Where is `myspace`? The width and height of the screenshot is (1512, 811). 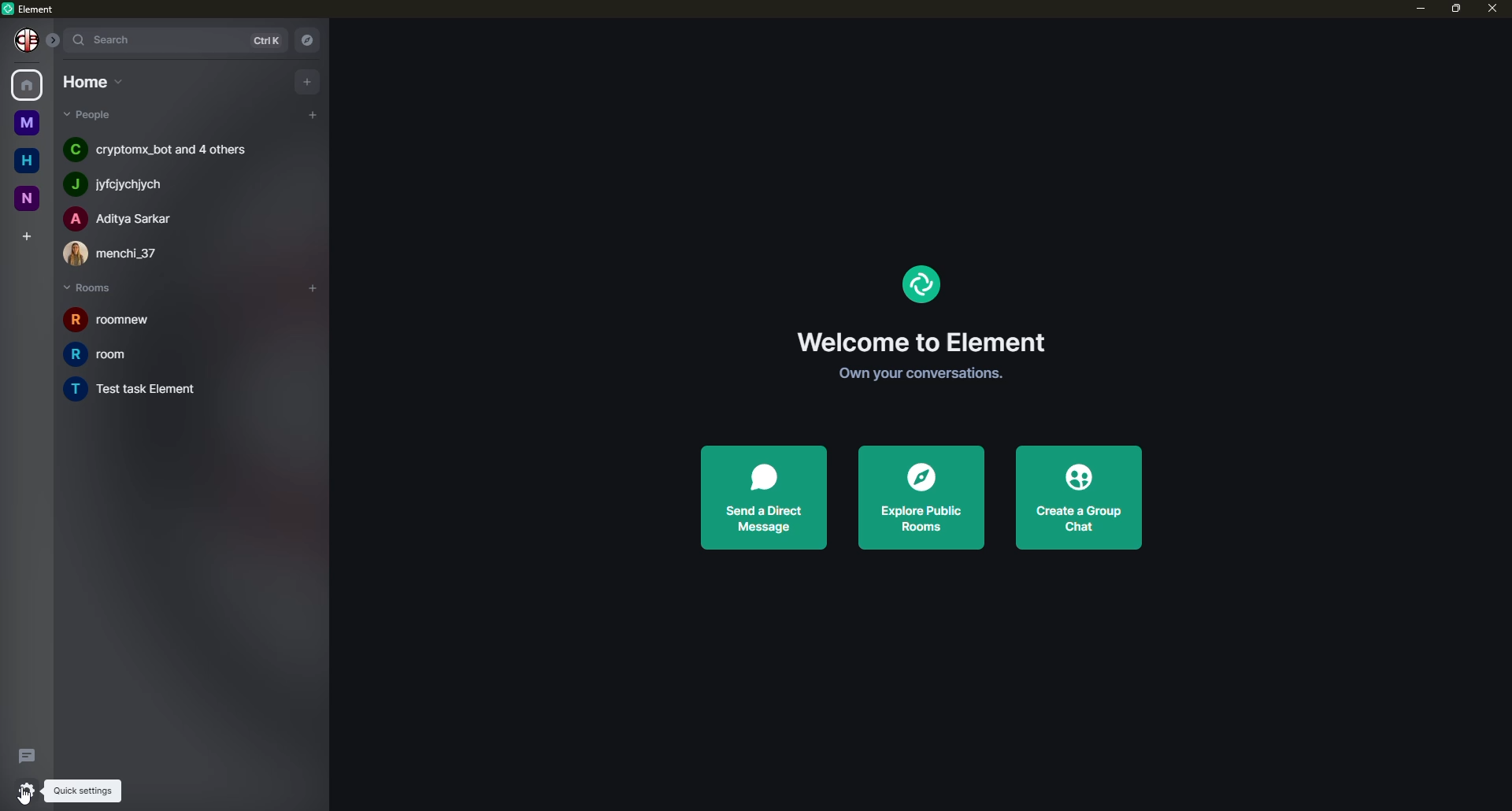
myspace is located at coordinates (24, 124).